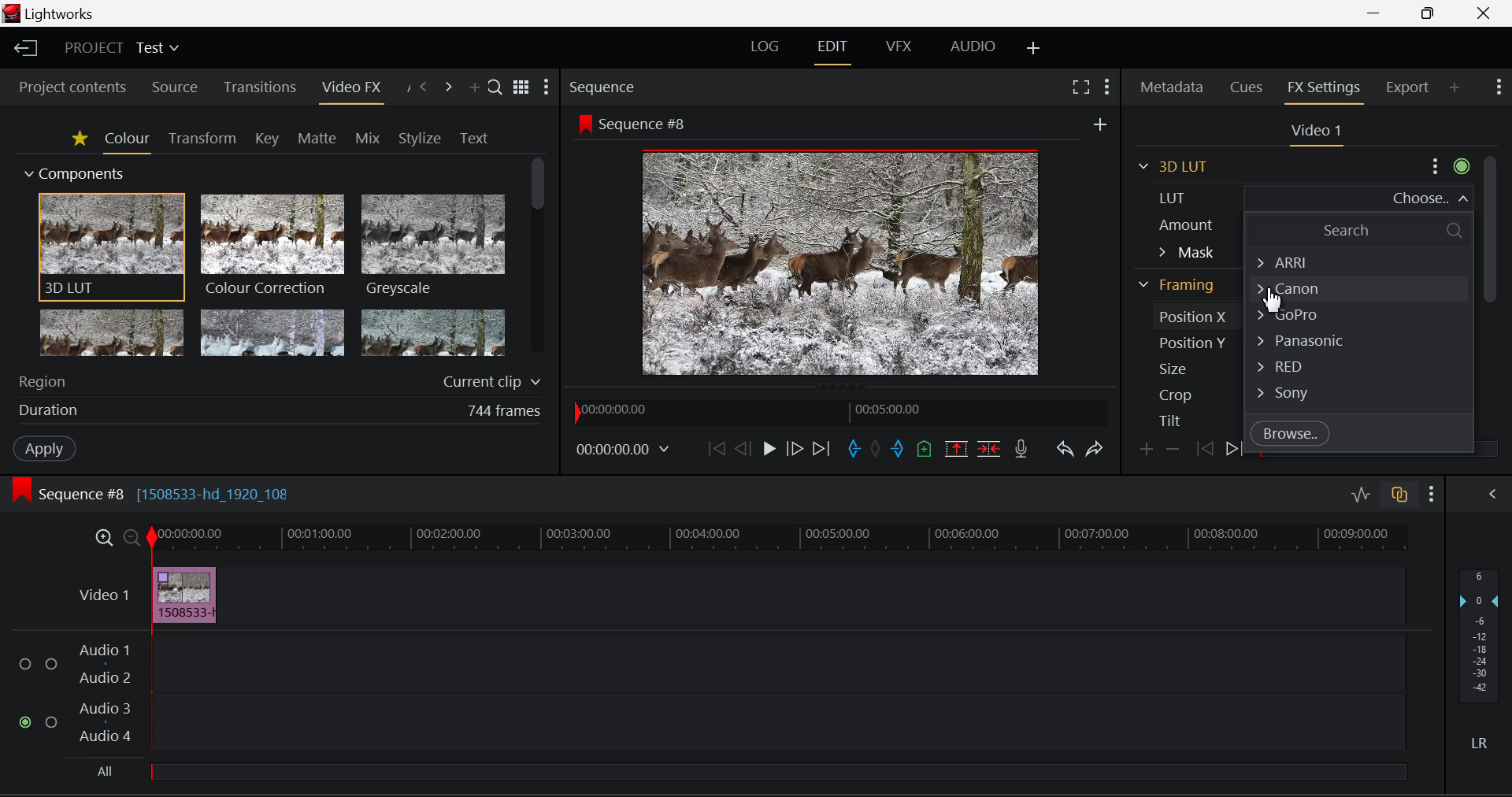  I want to click on Toggle audio levels editing, so click(1361, 493).